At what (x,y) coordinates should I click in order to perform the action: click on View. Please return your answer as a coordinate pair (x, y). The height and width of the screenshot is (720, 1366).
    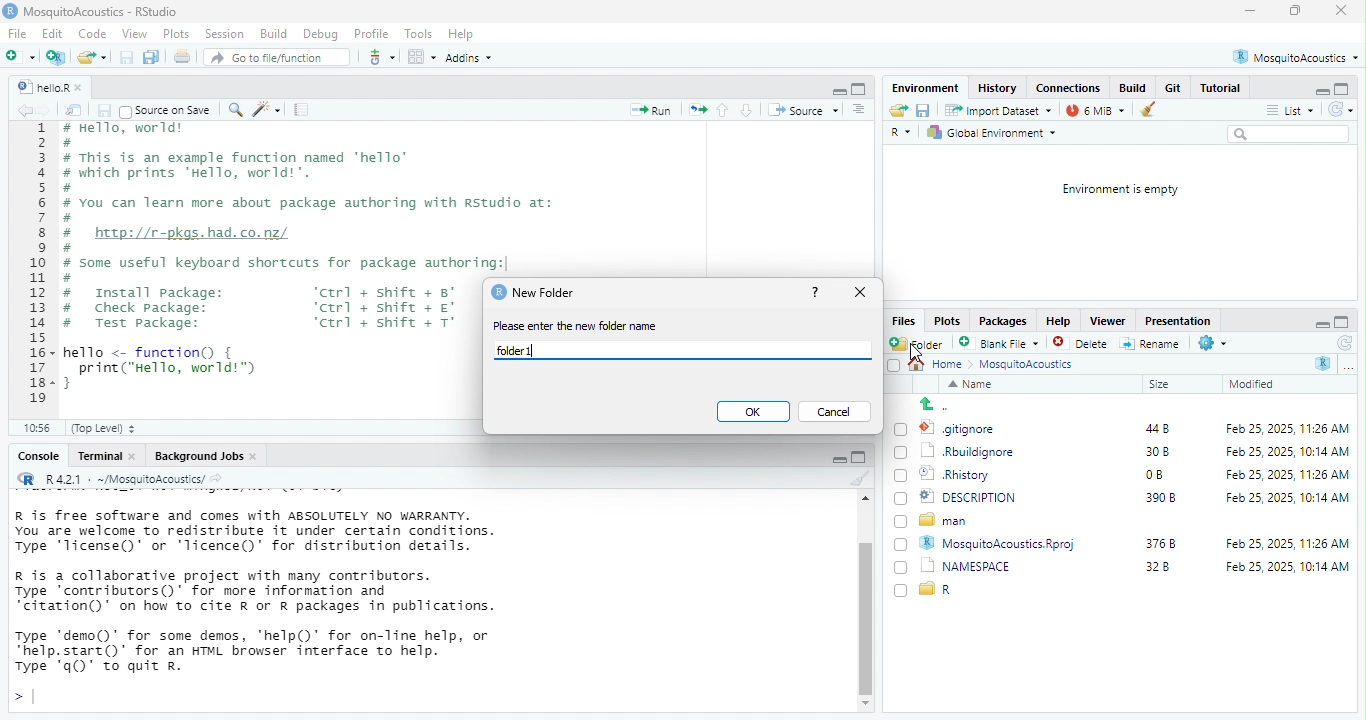
    Looking at the image, I should click on (135, 35).